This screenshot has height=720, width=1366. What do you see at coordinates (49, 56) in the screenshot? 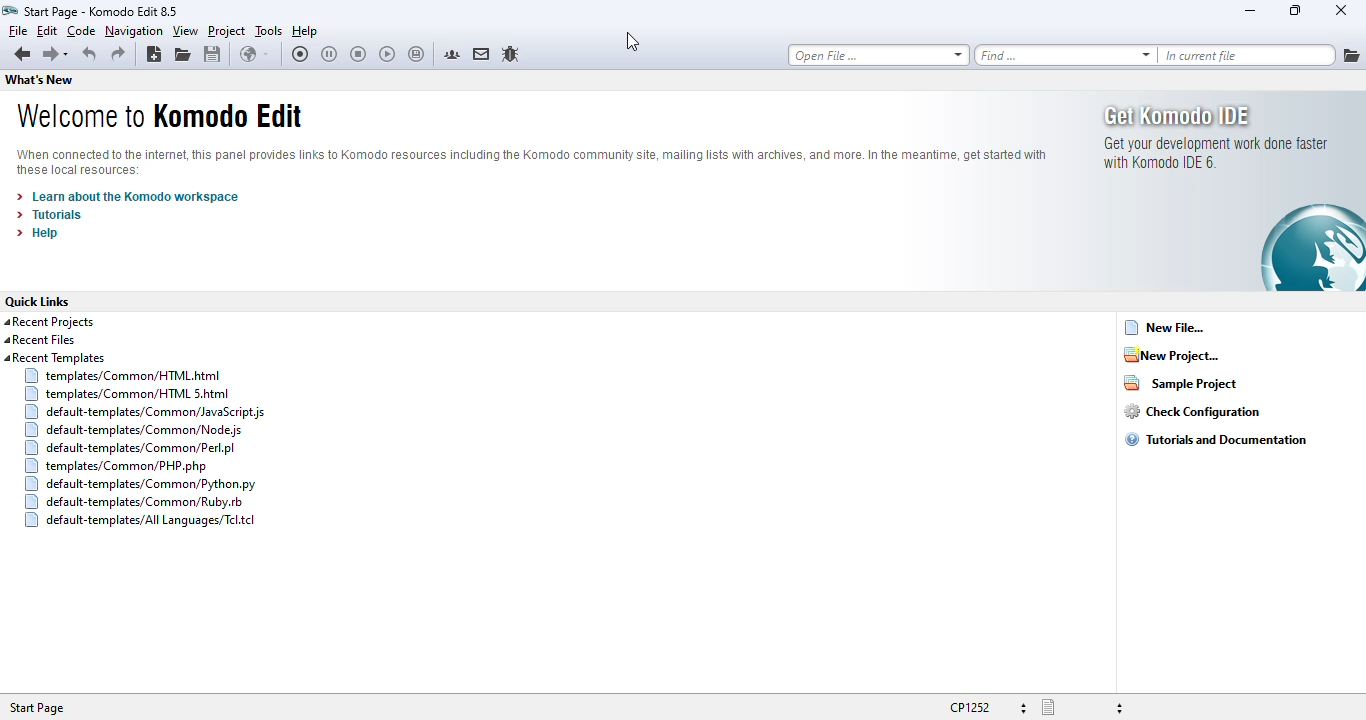
I see `go forward one location` at bounding box center [49, 56].